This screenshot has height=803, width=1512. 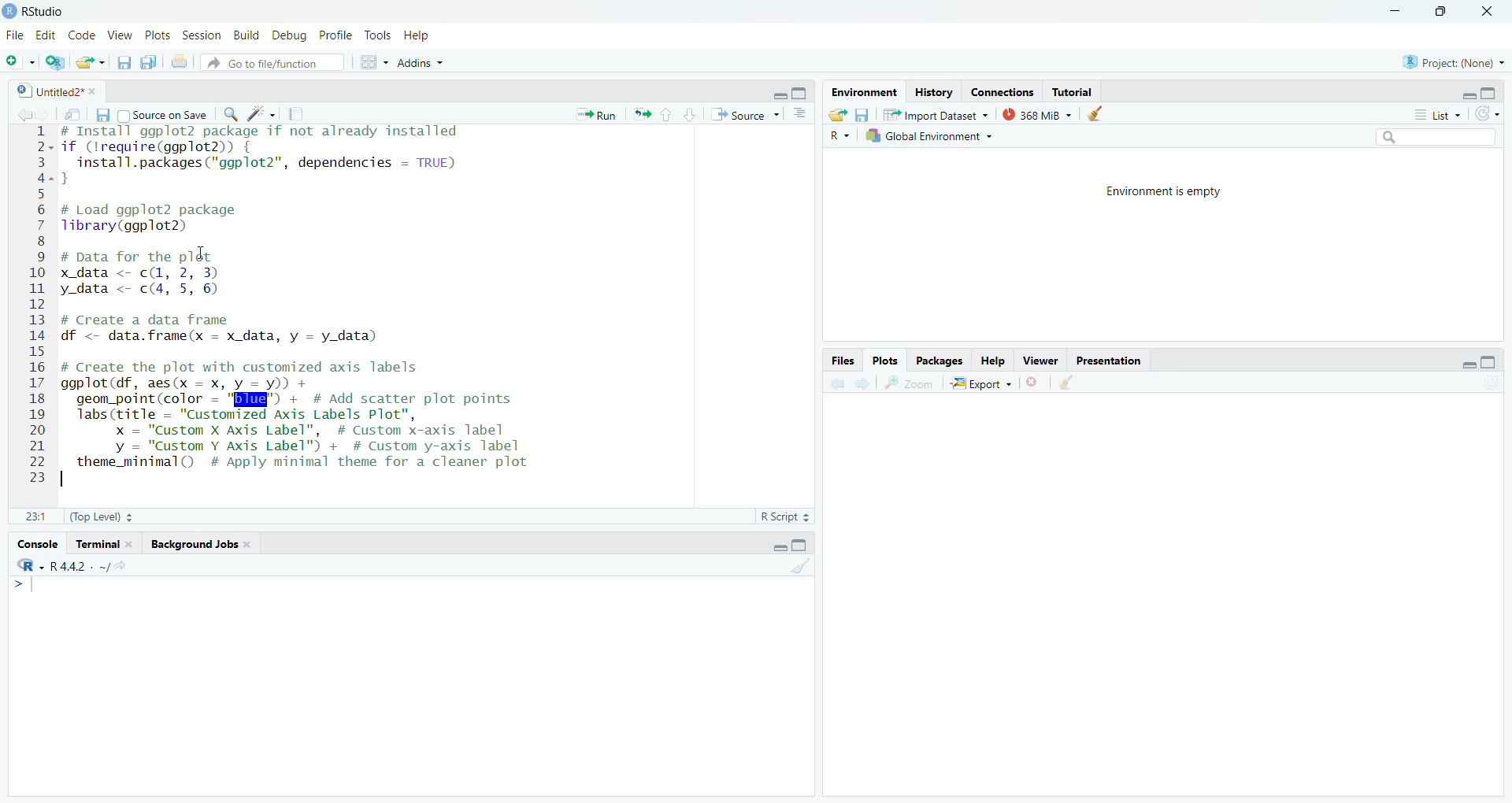 I want to click on maximise, so click(x=1492, y=361).